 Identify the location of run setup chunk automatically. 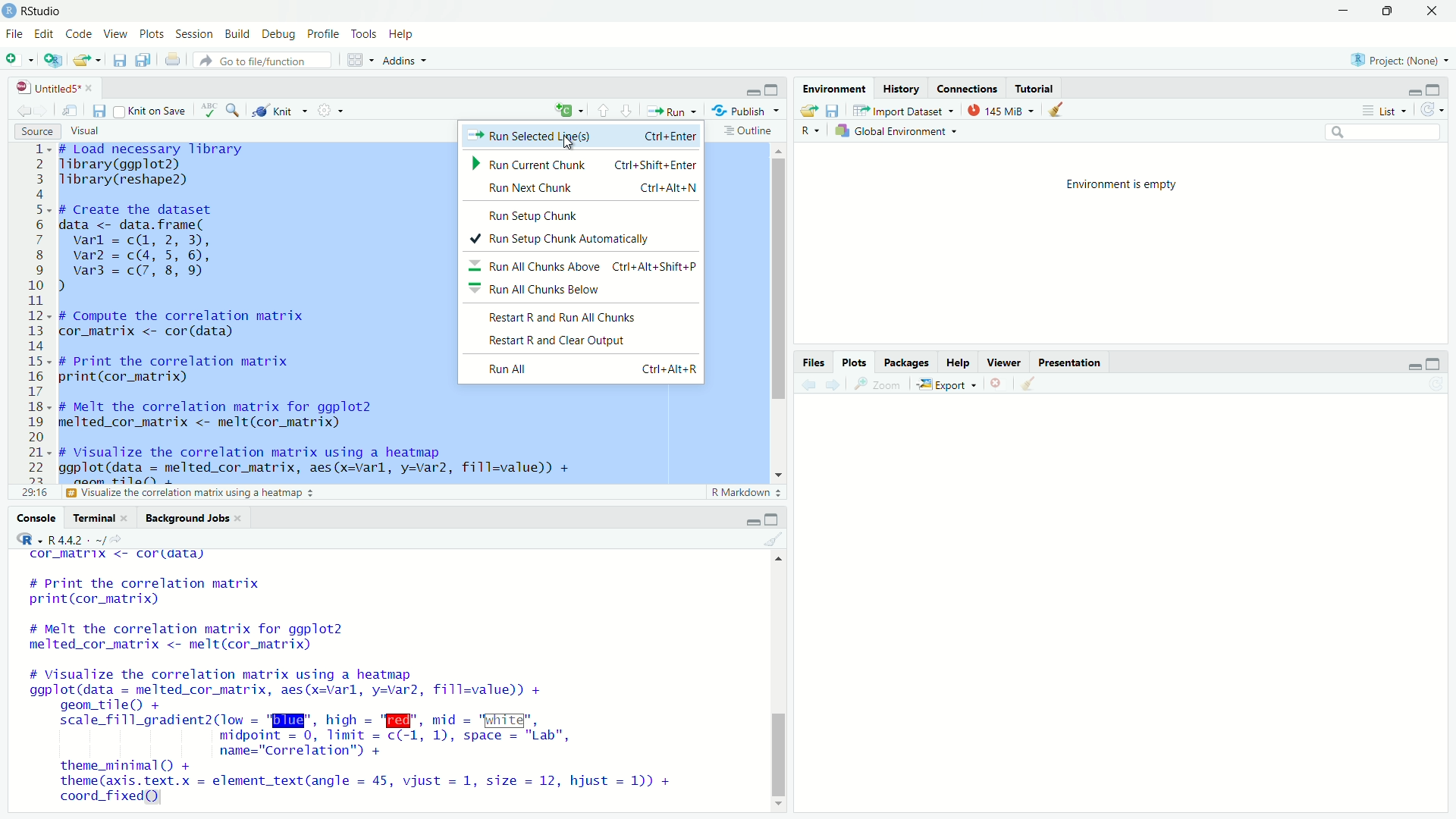
(583, 237).